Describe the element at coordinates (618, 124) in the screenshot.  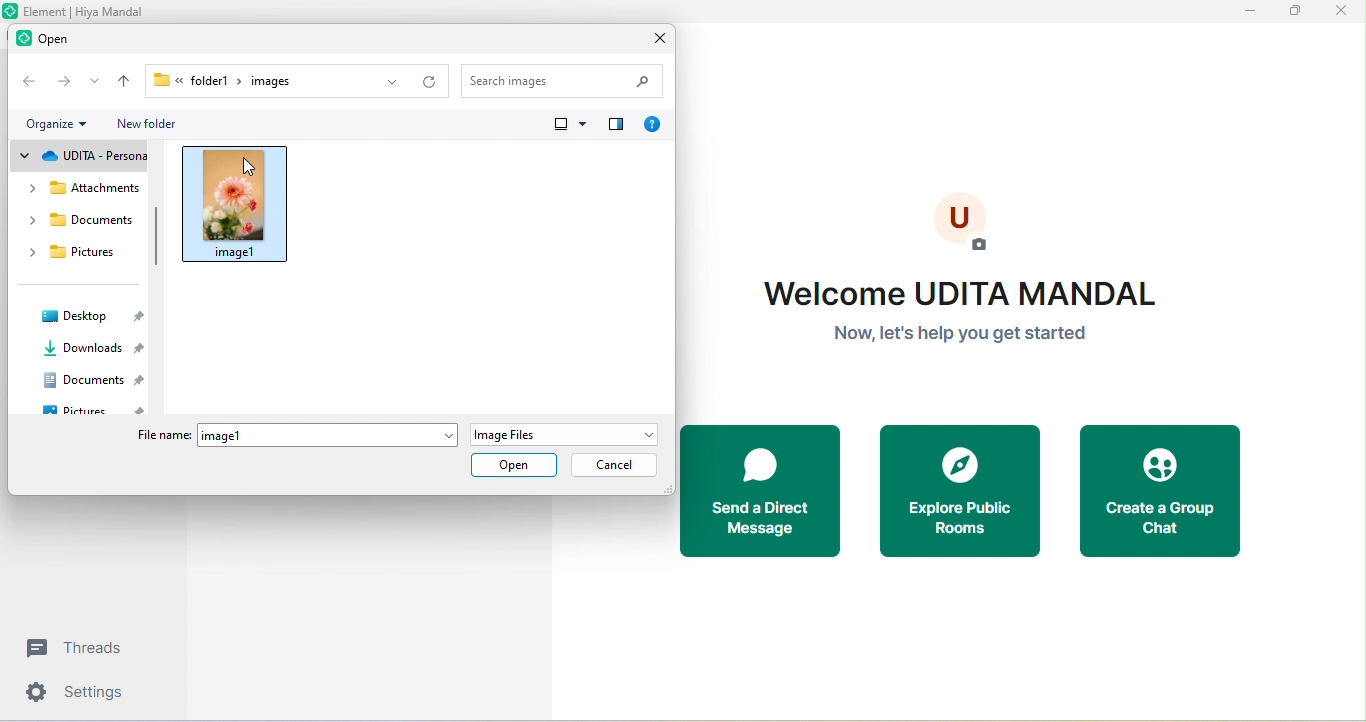
I see `show the preview pane` at that location.